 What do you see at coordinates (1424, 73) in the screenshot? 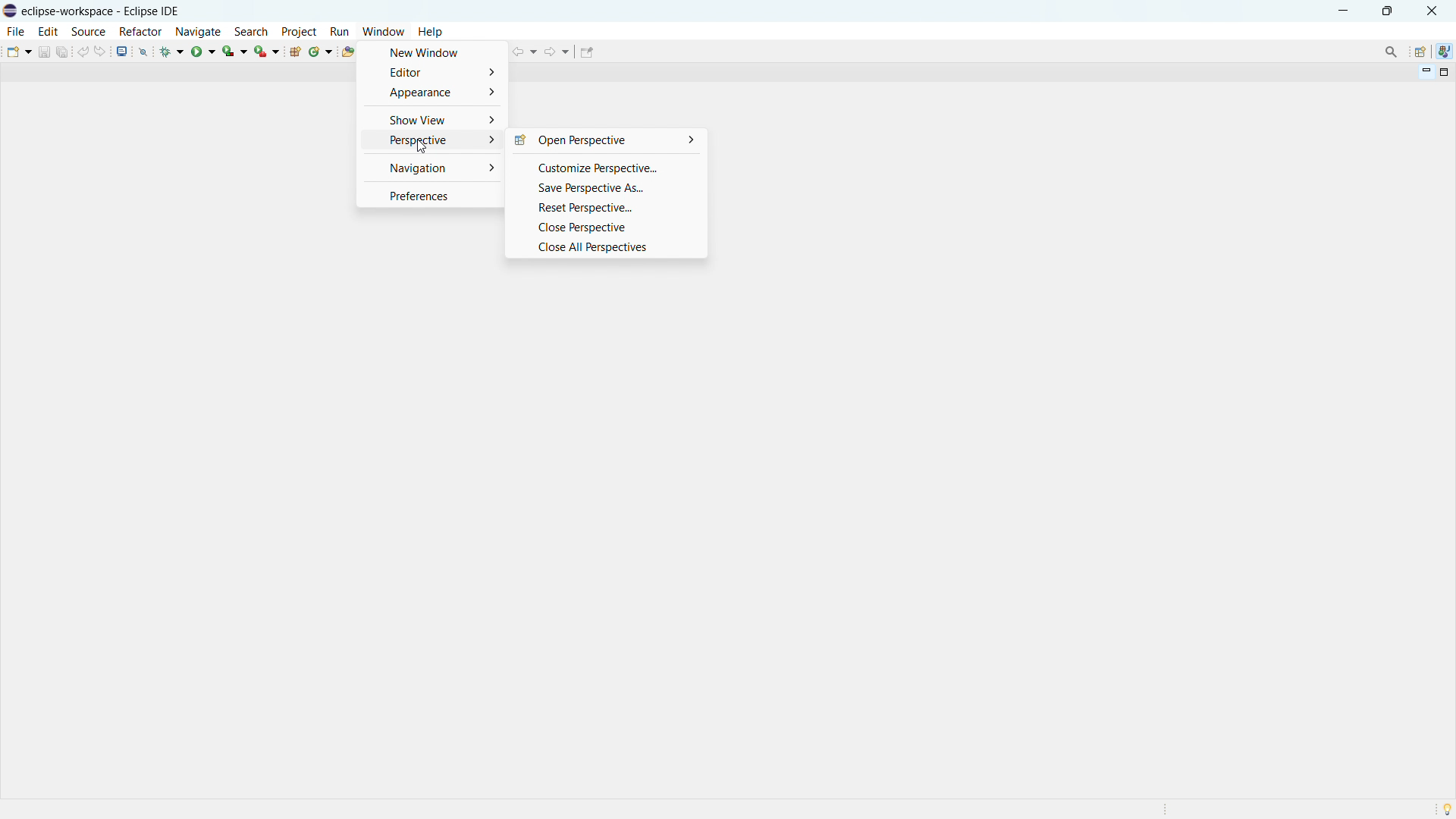
I see `minimize view` at bounding box center [1424, 73].